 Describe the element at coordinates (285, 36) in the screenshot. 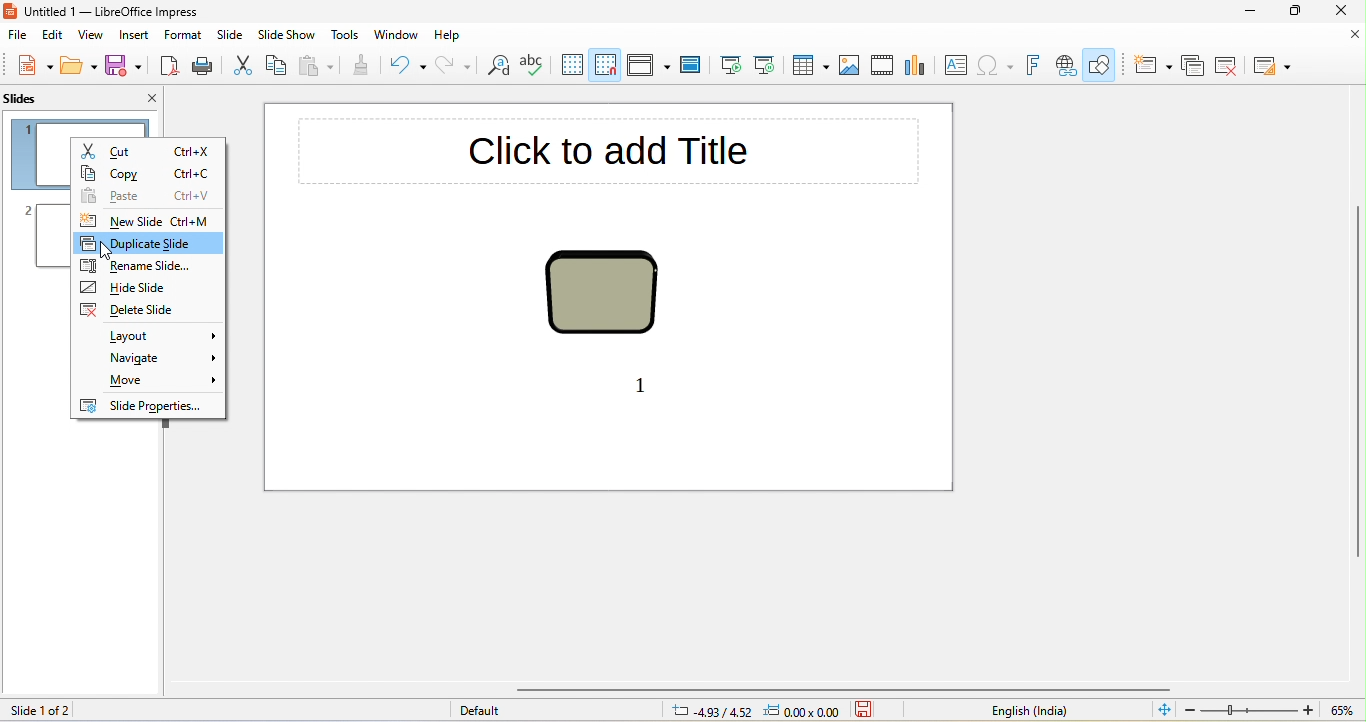

I see `slide show` at that location.